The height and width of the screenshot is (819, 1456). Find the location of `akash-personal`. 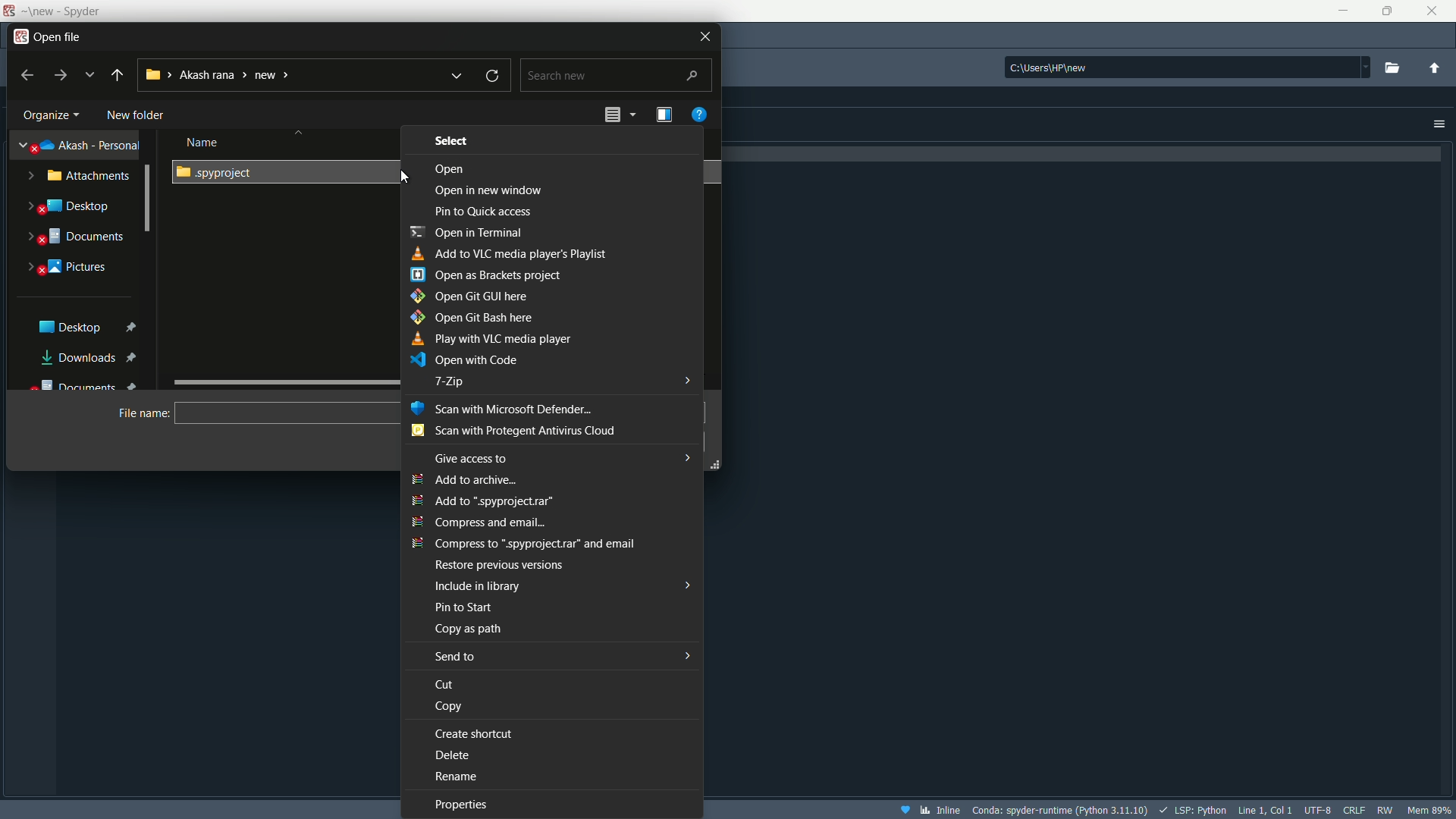

akash-personal is located at coordinates (78, 145).